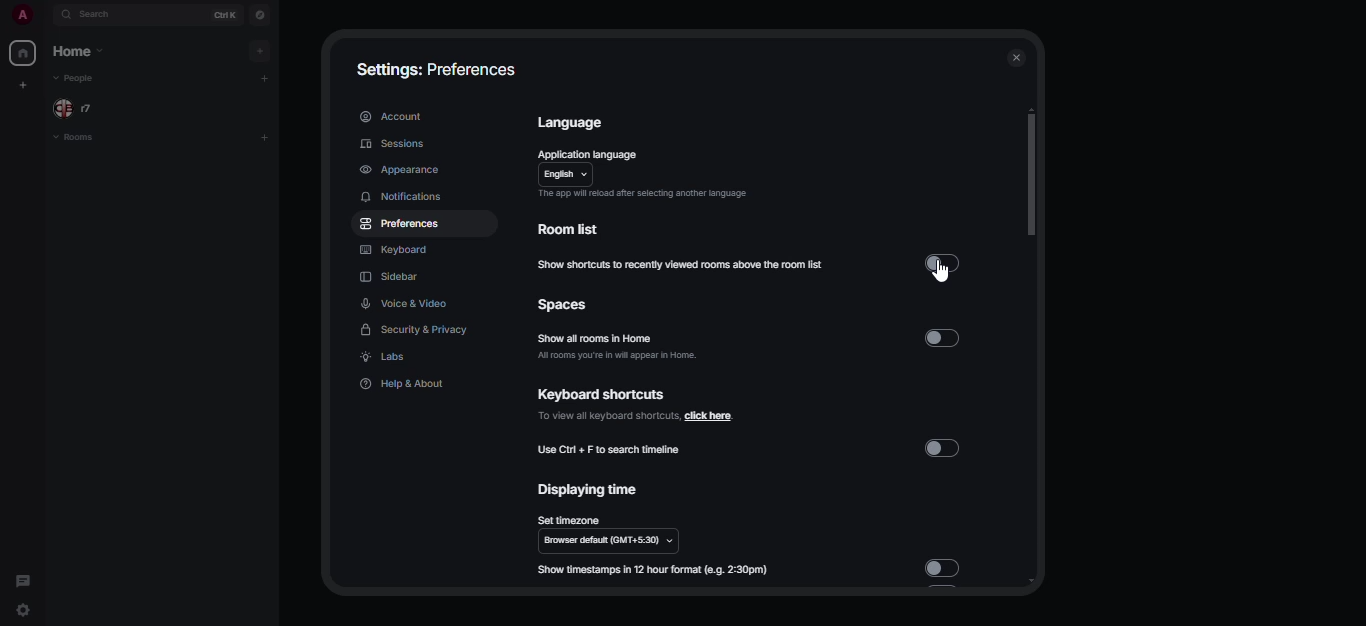  Describe the element at coordinates (391, 278) in the screenshot. I see `sidebar` at that location.